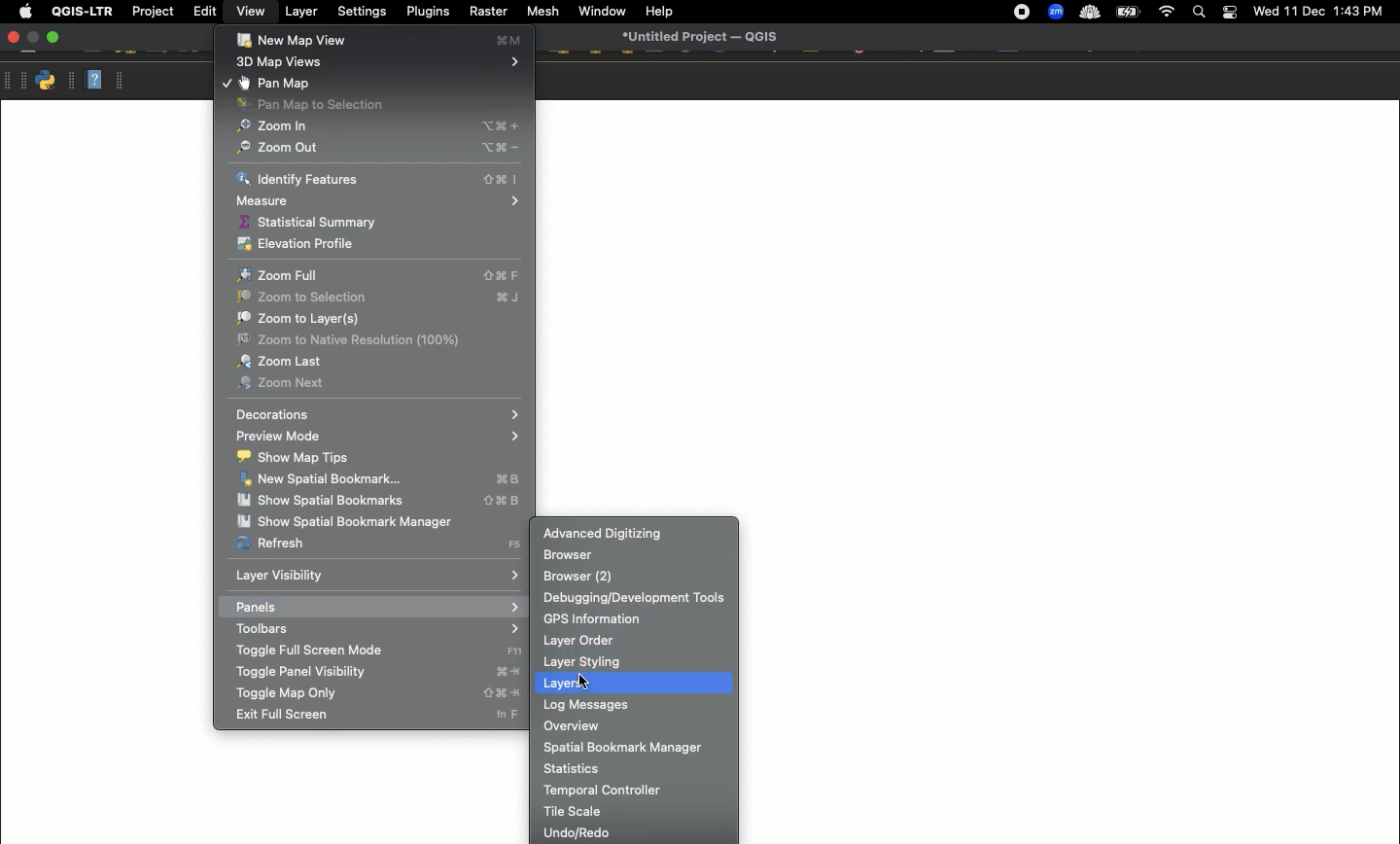 This screenshot has width=1400, height=844. Describe the element at coordinates (637, 596) in the screenshot. I see `Debugging development tools` at that location.